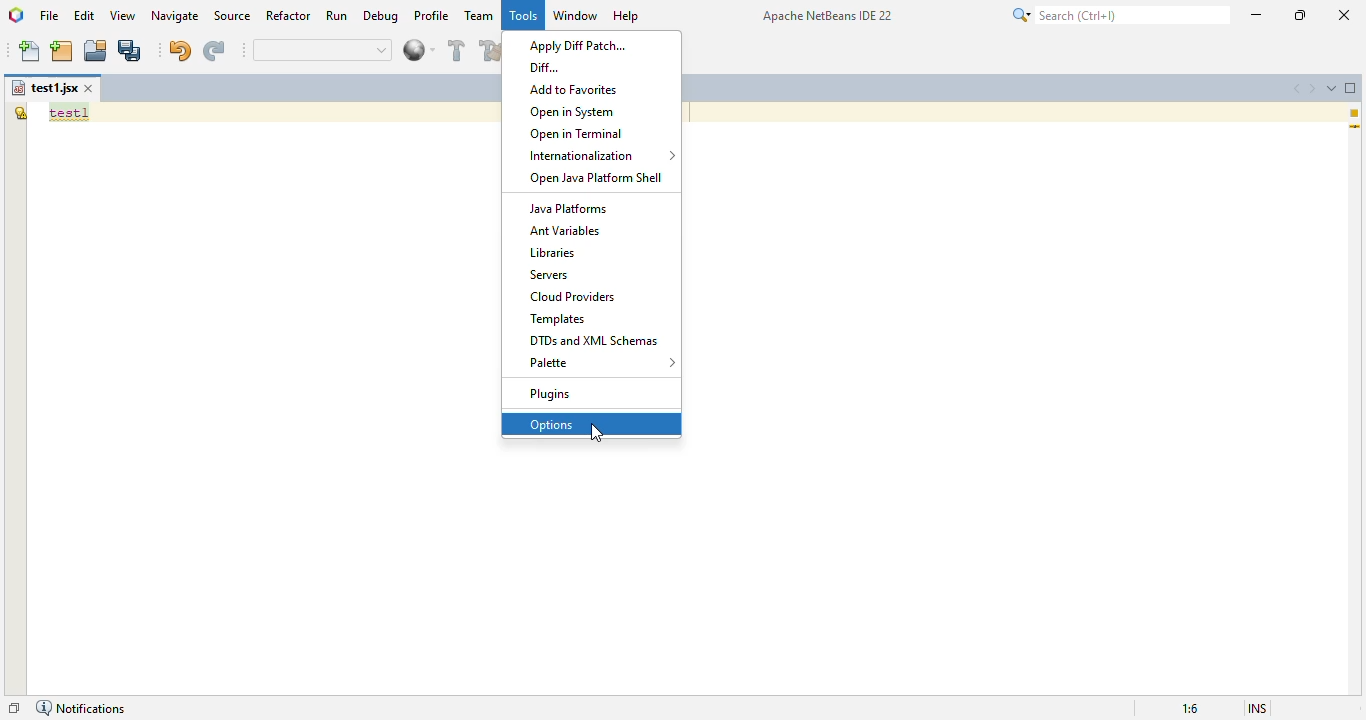 This screenshot has width=1366, height=720. Describe the element at coordinates (1355, 128) in the screenshot. I see `current line` at that location.